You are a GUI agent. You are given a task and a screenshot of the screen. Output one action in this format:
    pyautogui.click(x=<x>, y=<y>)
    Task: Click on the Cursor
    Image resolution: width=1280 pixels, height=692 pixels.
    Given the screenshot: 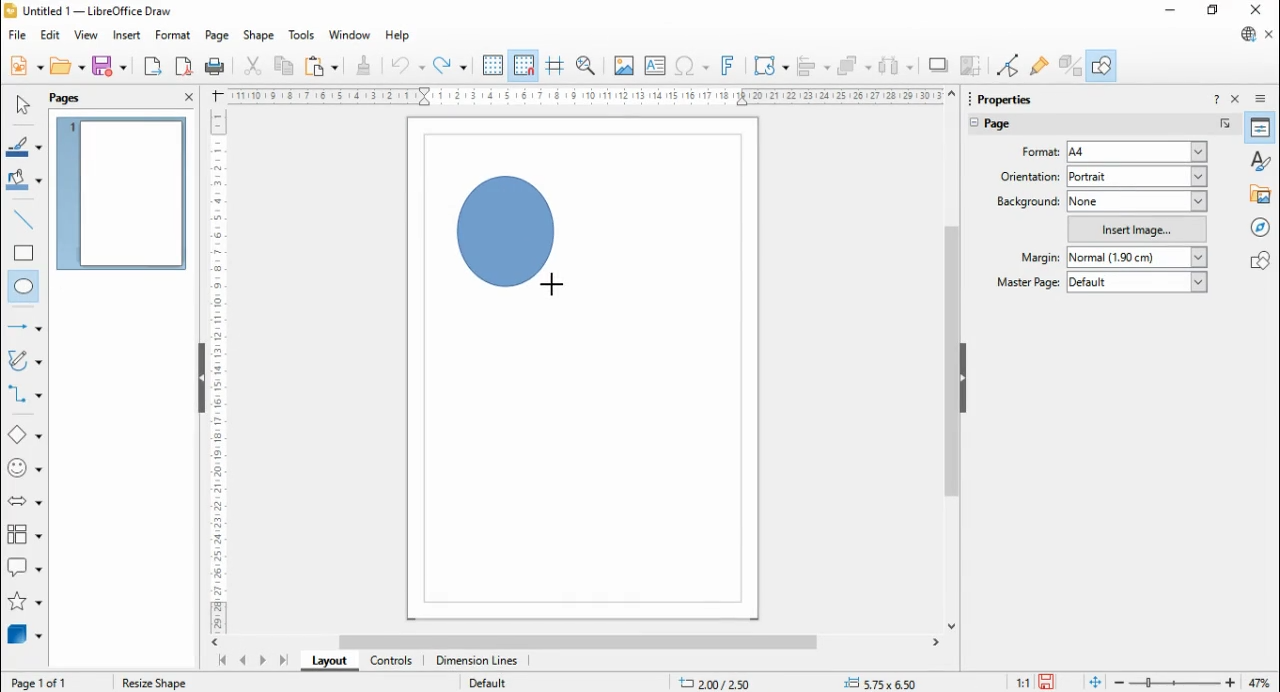 What is the action you would take?
    pyautogui.click(x=552, y=285)
    